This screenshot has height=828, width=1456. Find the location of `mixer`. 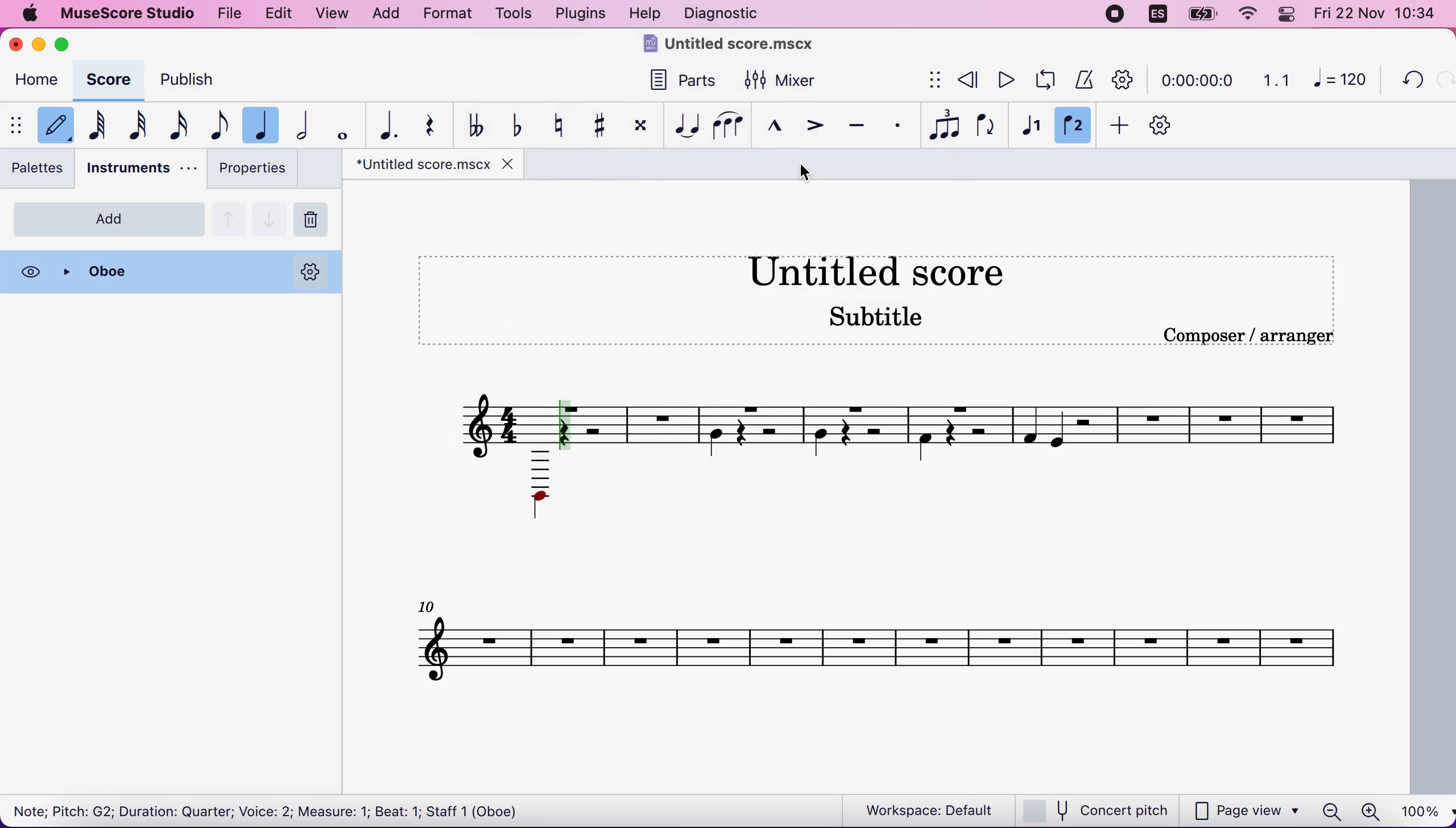

mixer is located at coordinates (783, 82).